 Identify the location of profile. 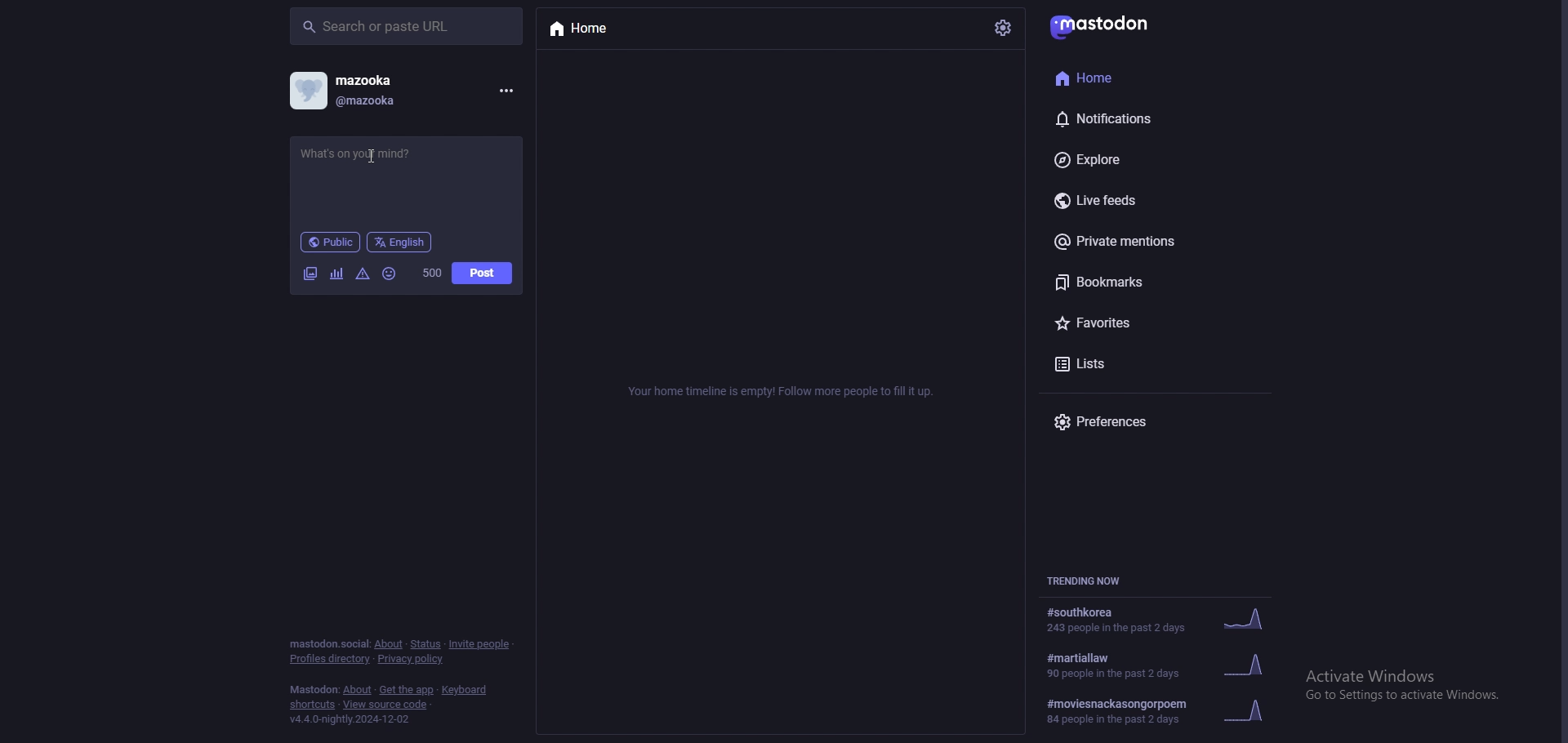
(308, 91).